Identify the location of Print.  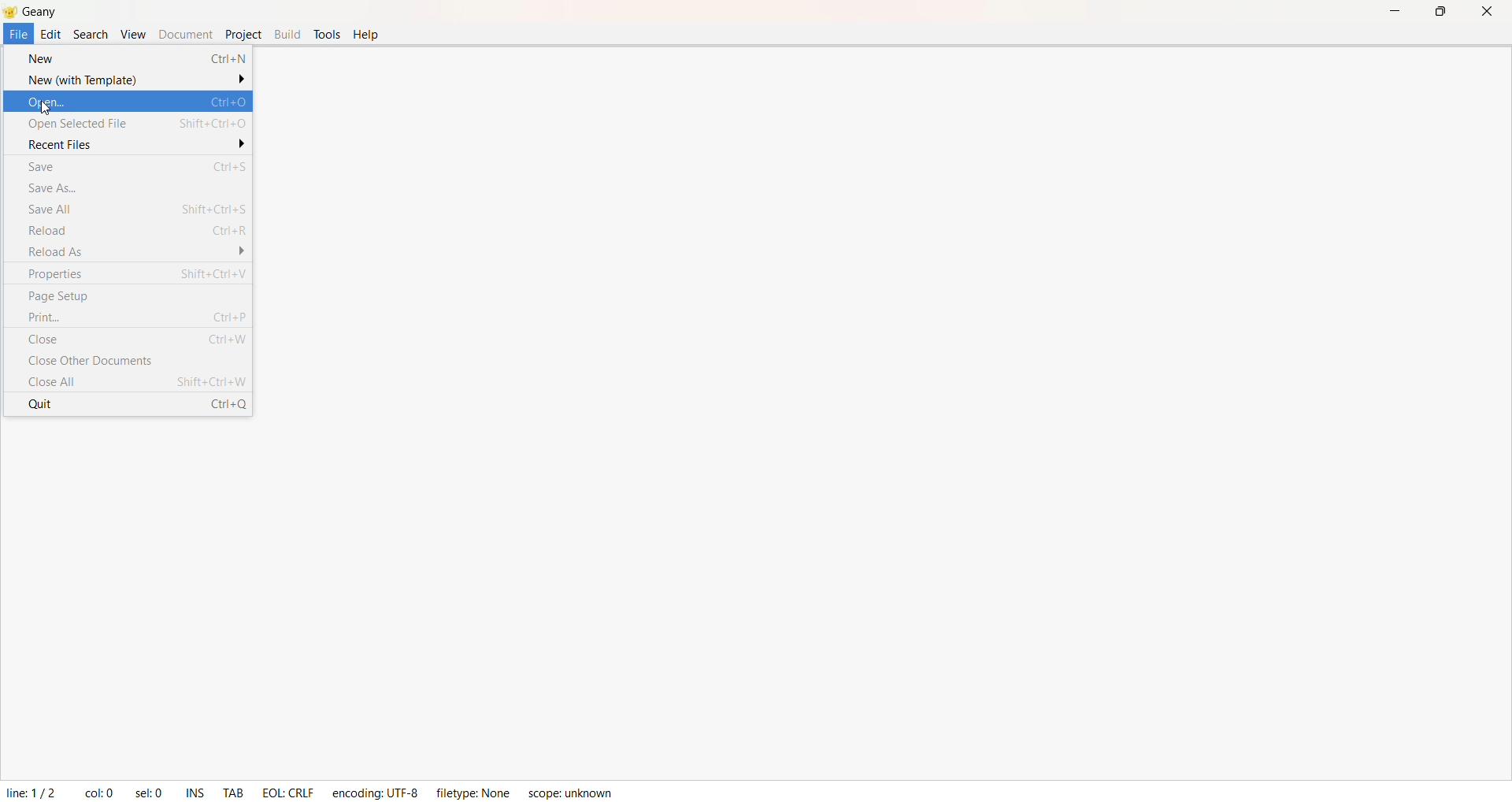
(139, 317).